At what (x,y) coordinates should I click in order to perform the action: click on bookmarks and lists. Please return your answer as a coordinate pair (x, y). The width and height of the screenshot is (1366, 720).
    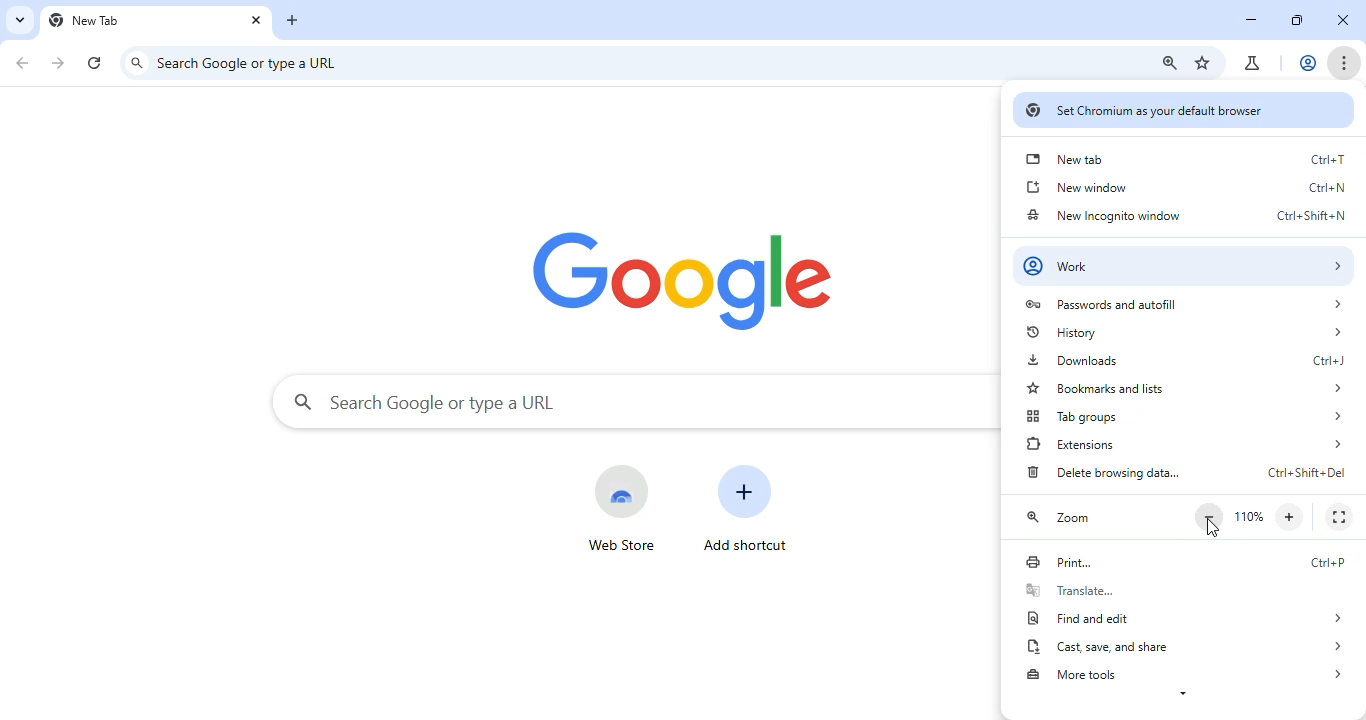
    Looking at the image, I should click on (1185, 390).